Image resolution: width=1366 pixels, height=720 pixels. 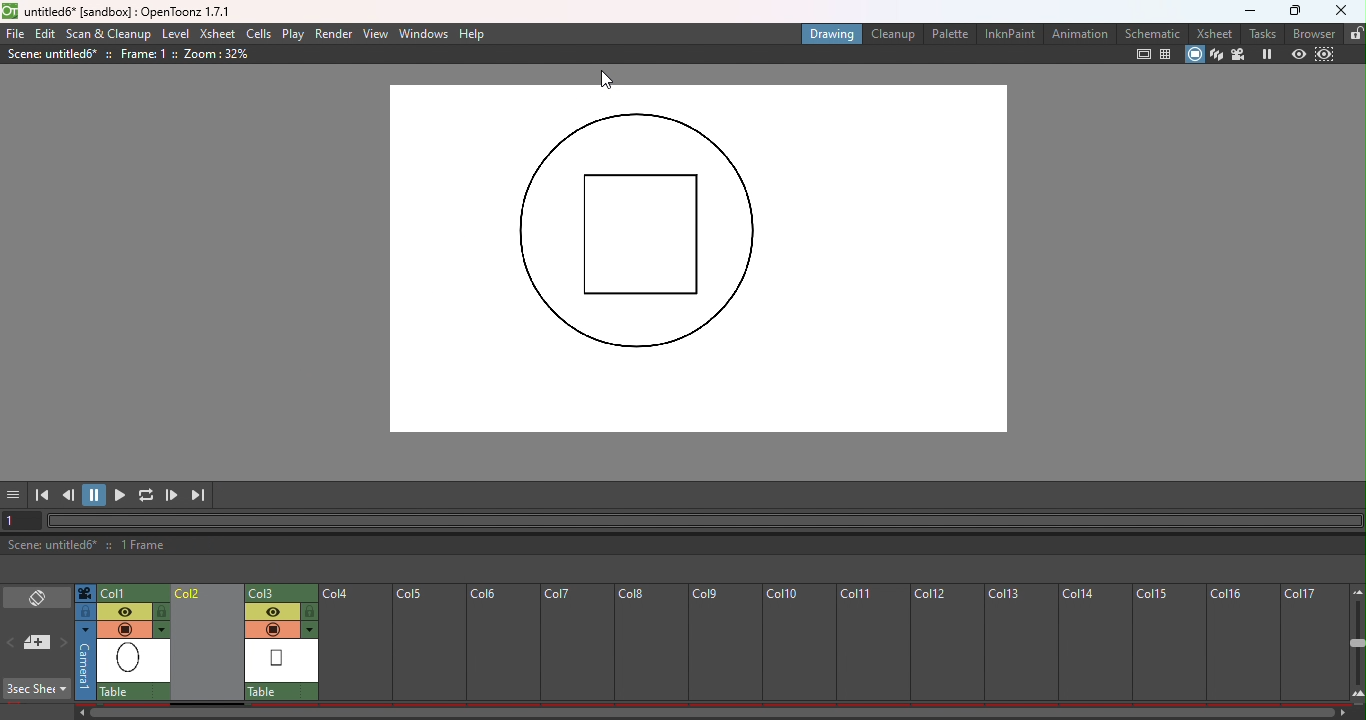 I want to click on Windows, so click(x=424, y=35).